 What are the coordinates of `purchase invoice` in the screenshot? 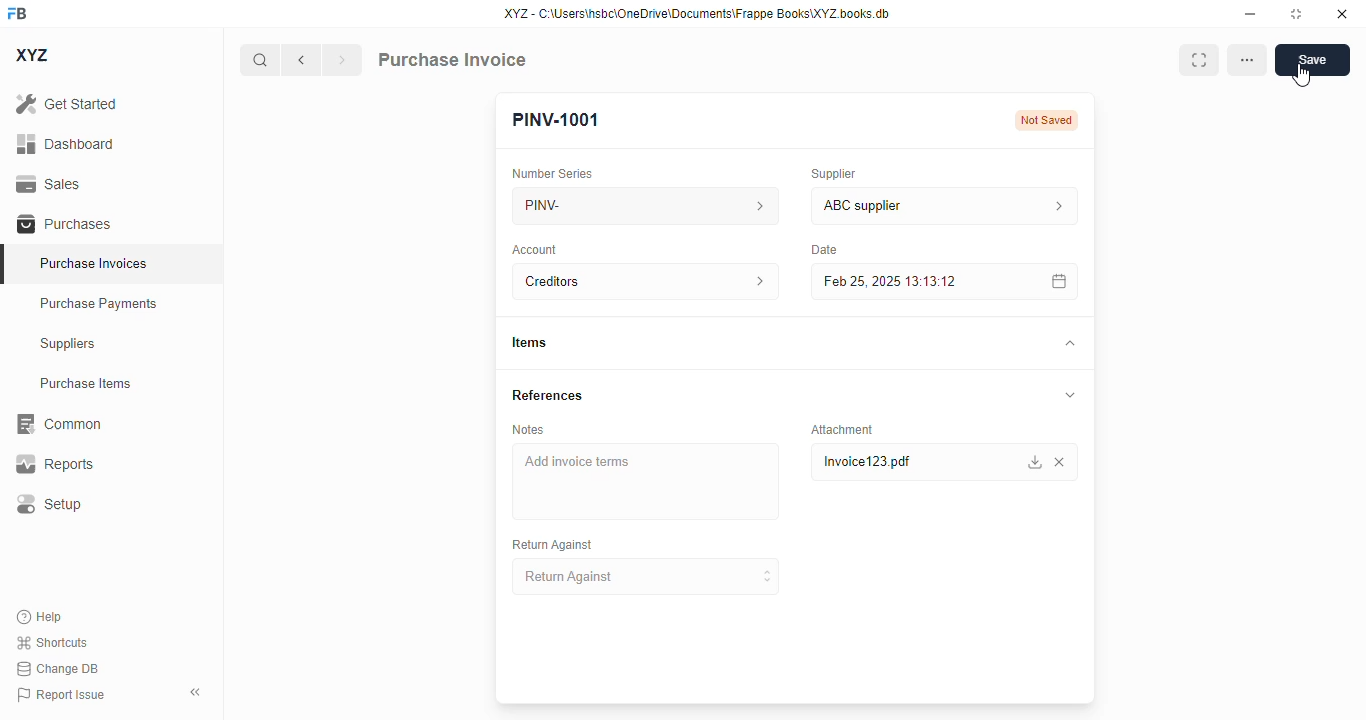 It's located at (451, 59).